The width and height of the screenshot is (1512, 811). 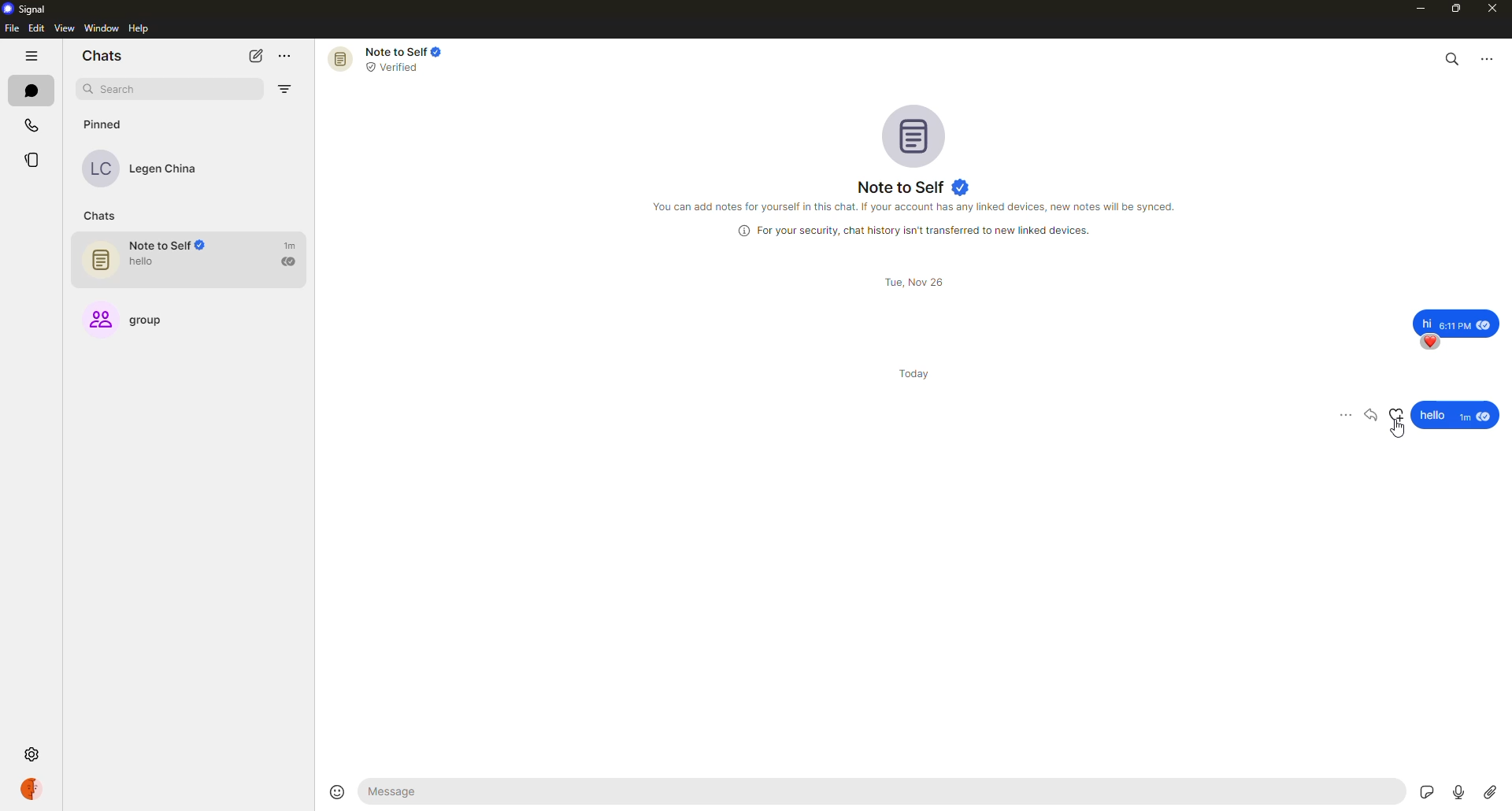 What do you see at coordinates (1422, 791) in the screenshot?
I see `stickers` at bounding box center [1422, 791].